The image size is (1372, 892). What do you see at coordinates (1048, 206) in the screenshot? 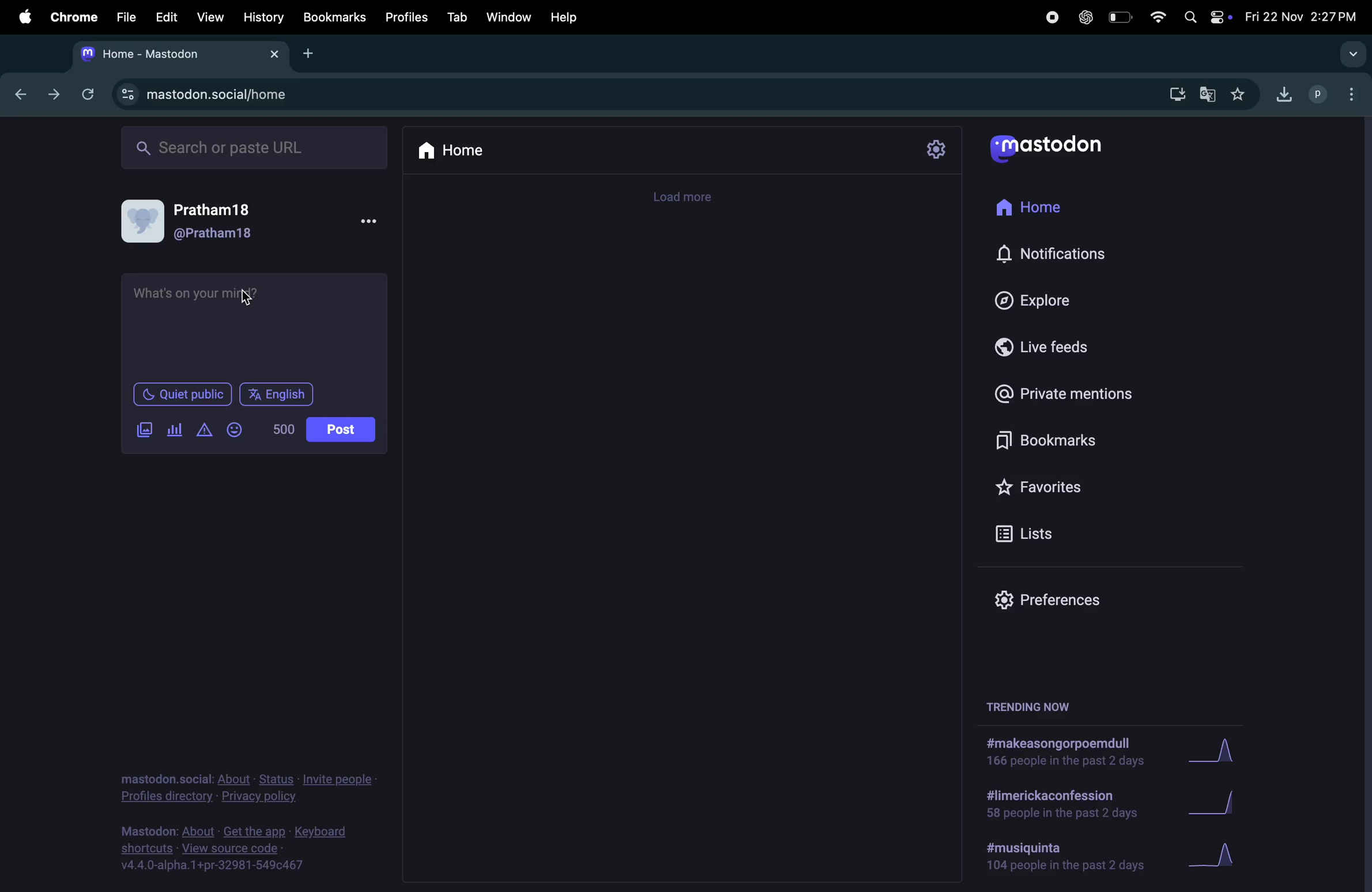
I see `home` at bounding box center [1048, 206].